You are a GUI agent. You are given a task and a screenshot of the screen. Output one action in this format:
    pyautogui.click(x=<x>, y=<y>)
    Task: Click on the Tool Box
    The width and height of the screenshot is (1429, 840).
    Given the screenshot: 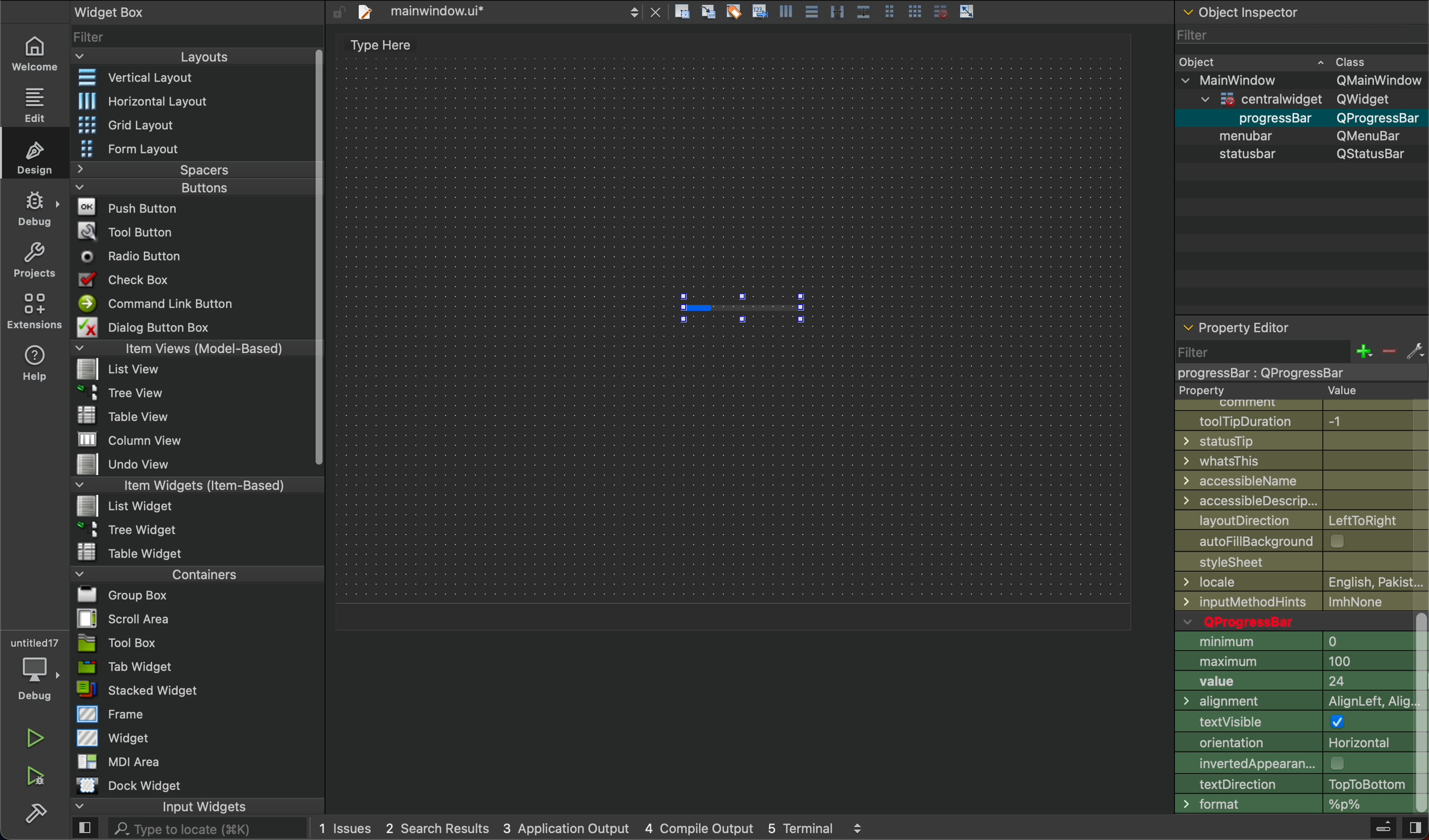 What is the action you would take?
    pyautogui.click(x=117, y=643)
    